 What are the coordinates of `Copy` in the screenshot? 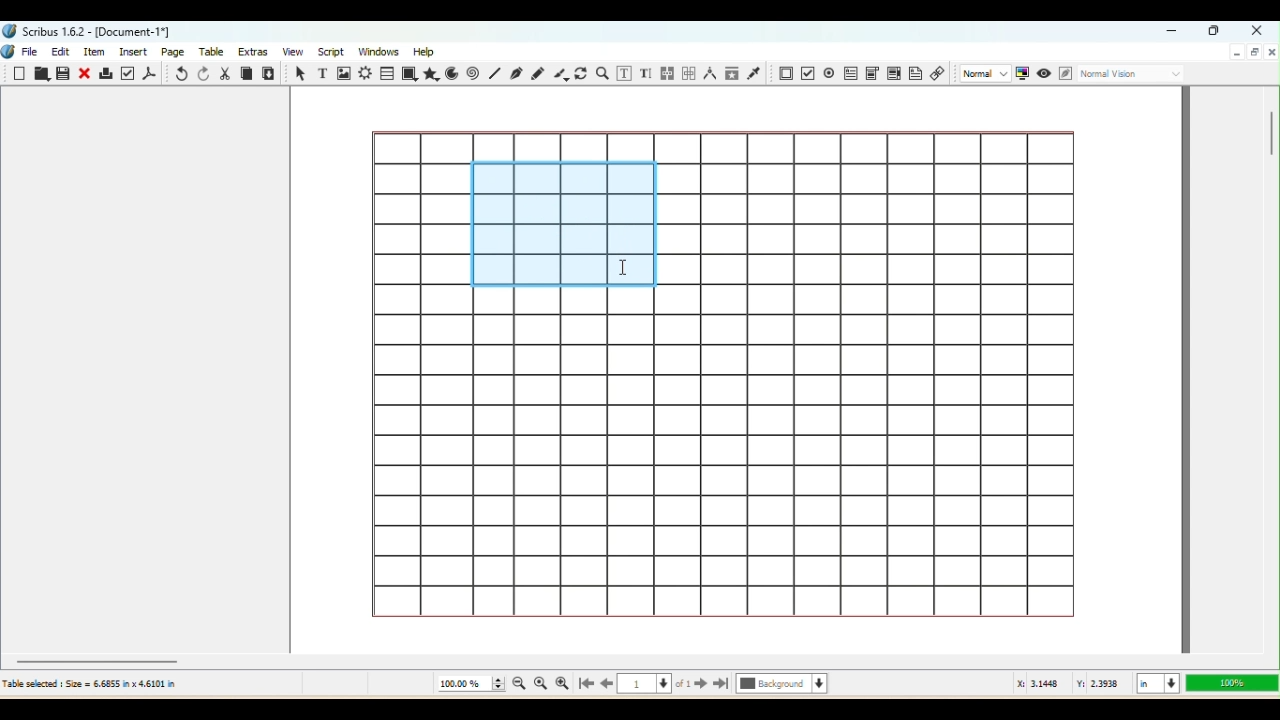 It's located at (246, 73).